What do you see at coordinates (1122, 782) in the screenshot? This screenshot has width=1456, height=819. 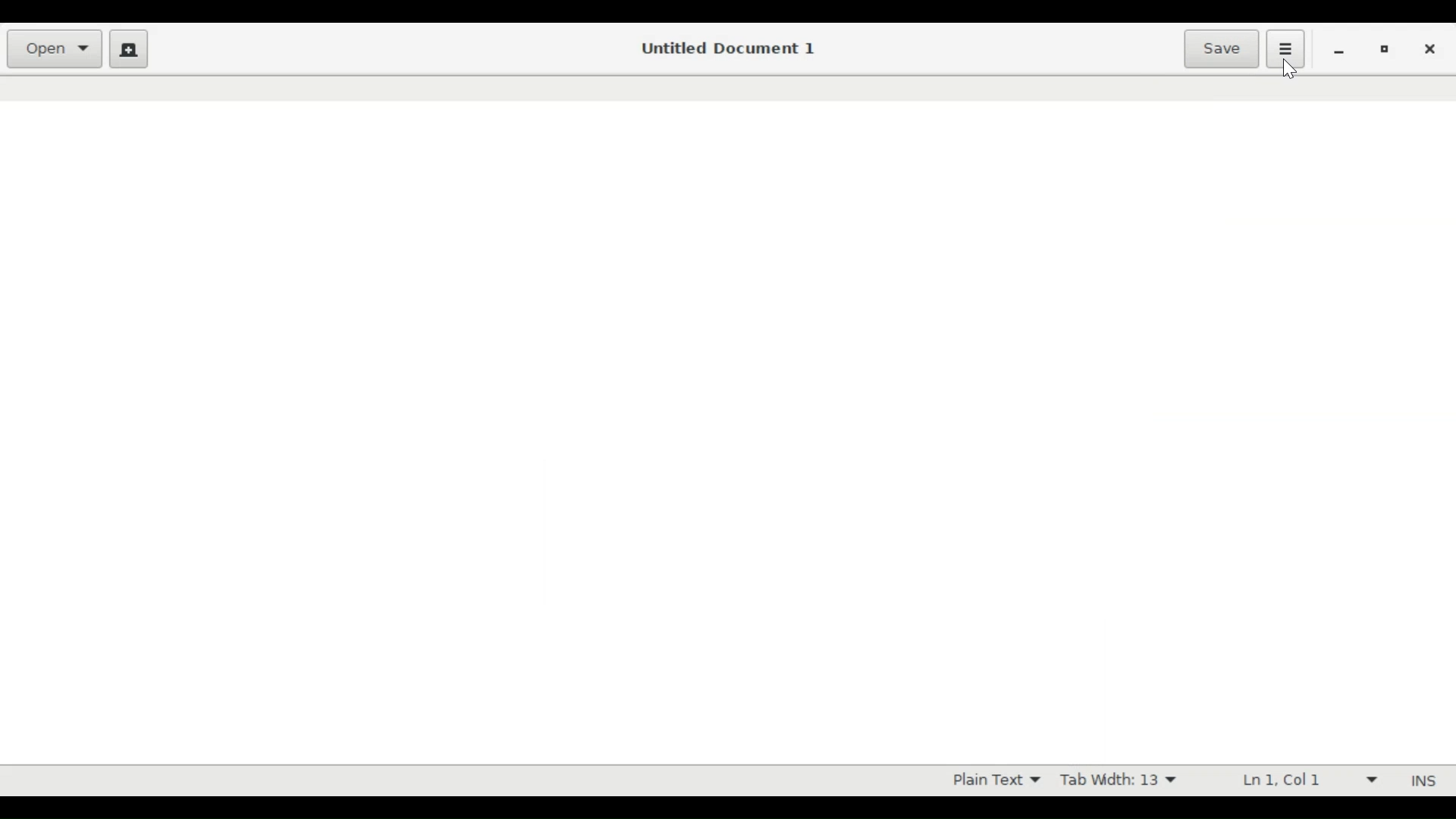 I see `Tab Width 13` at bounding box center [1122, 782].